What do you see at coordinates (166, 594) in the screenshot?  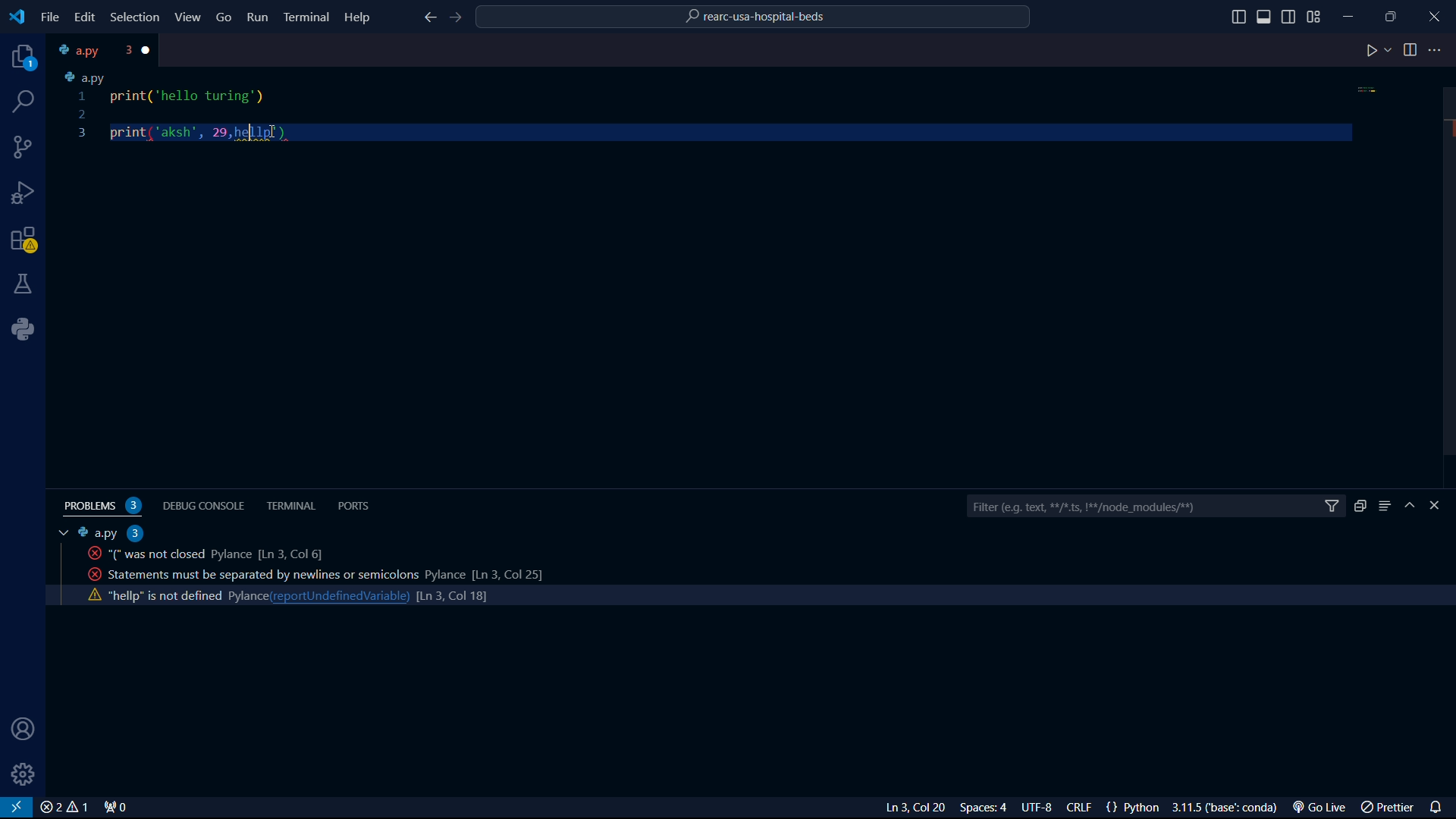 I see `activity code` at bounding box center [166, 594].